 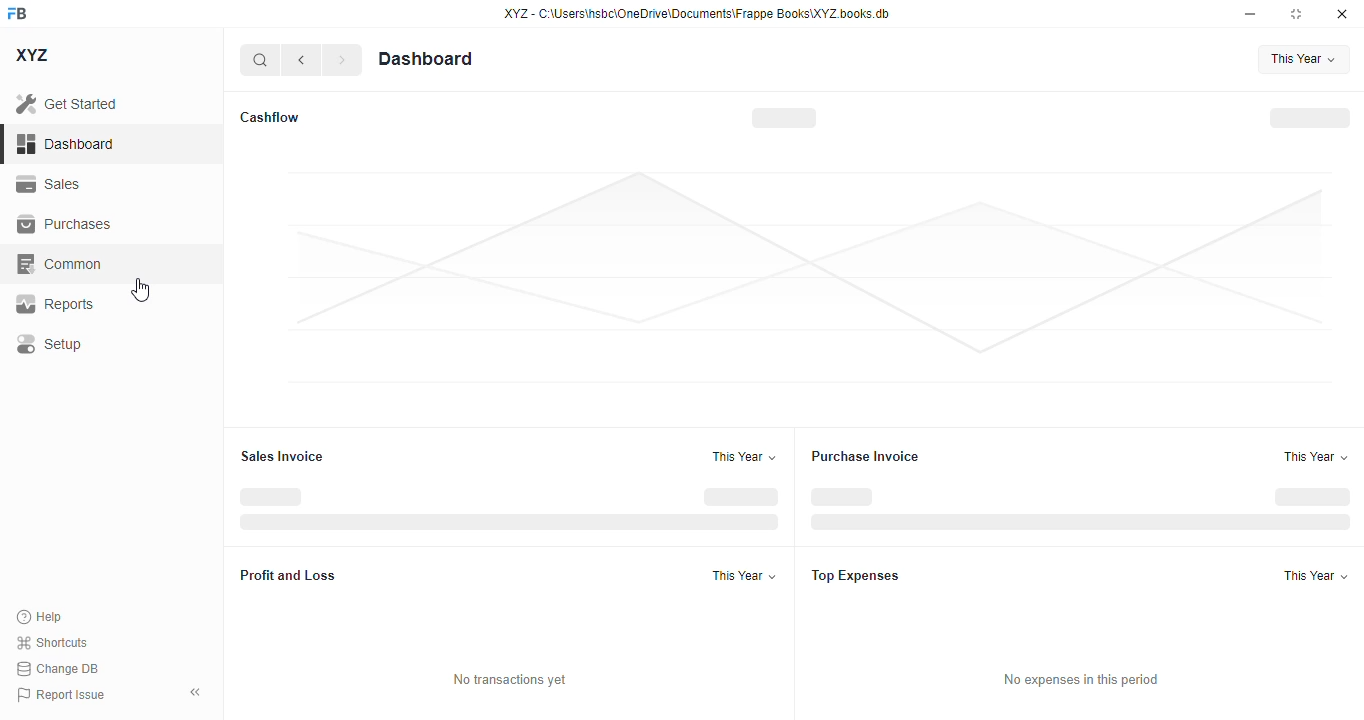 What do you see at coordinates (61, 694) in the screenshot?
I see `report issue` at bounding box center [61, 694].